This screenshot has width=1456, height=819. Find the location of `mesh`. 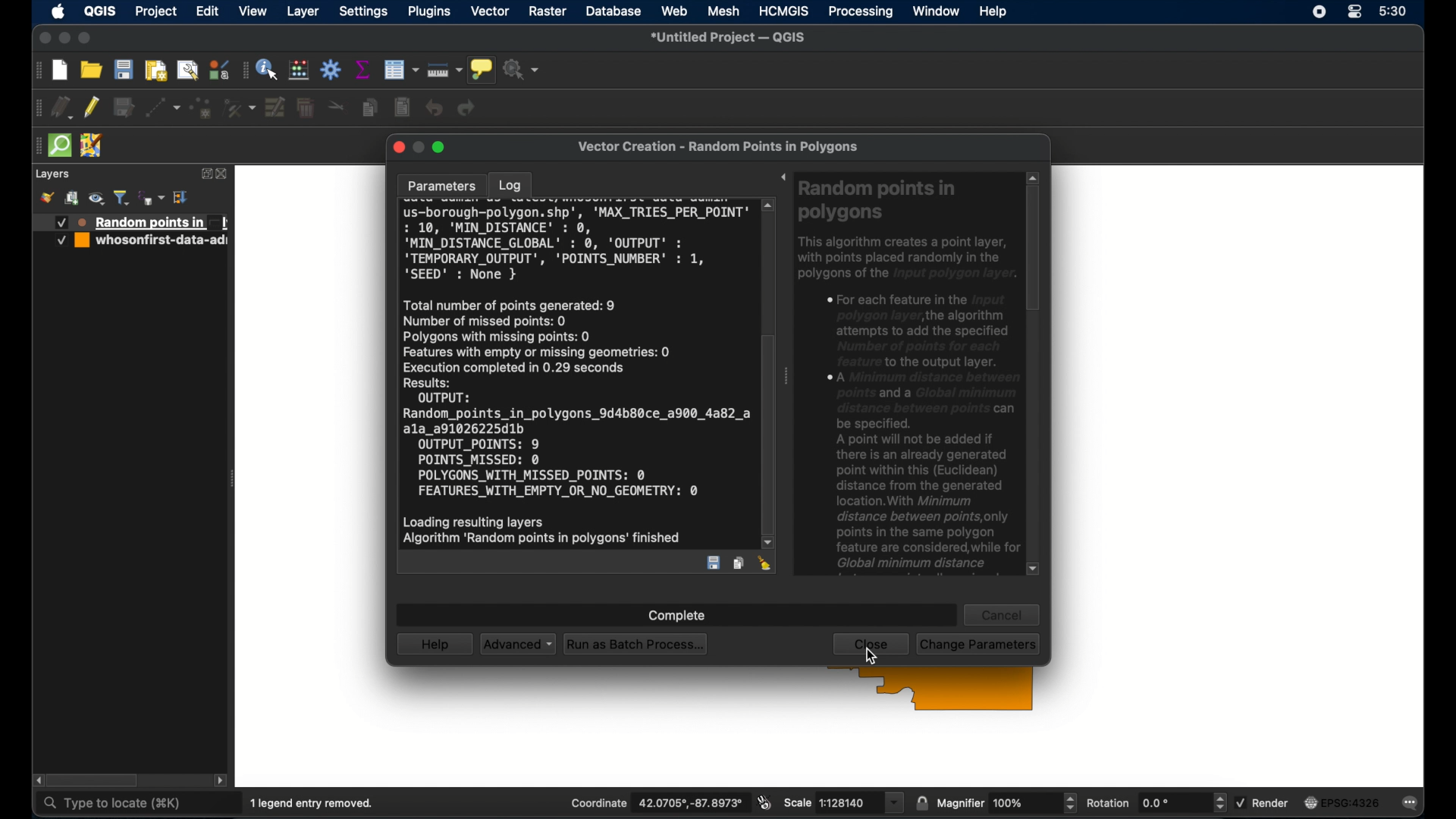

mesh is located at coordinates (723, 12).